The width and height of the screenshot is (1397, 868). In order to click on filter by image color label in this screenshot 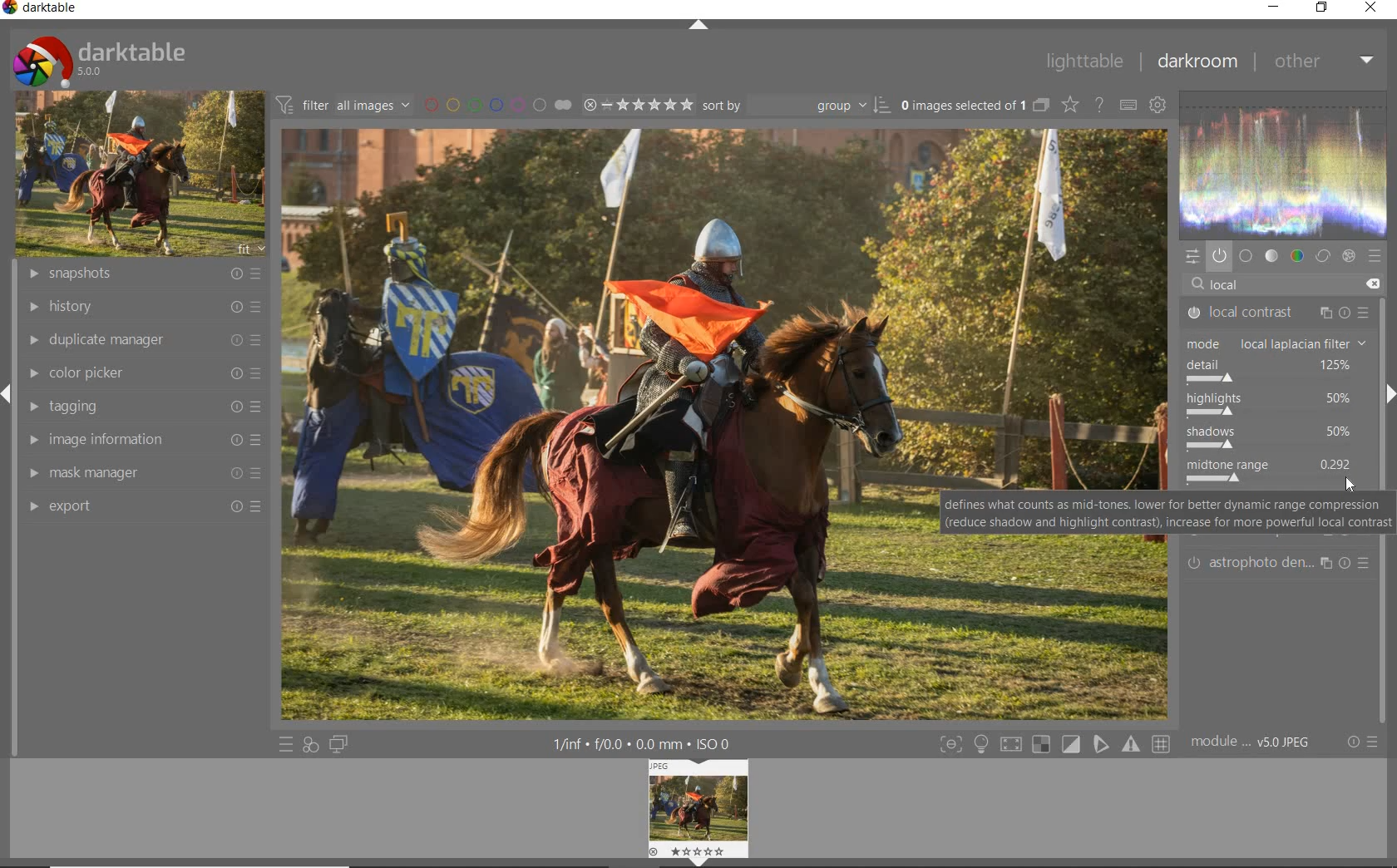, I will do `click(497, 104)`.